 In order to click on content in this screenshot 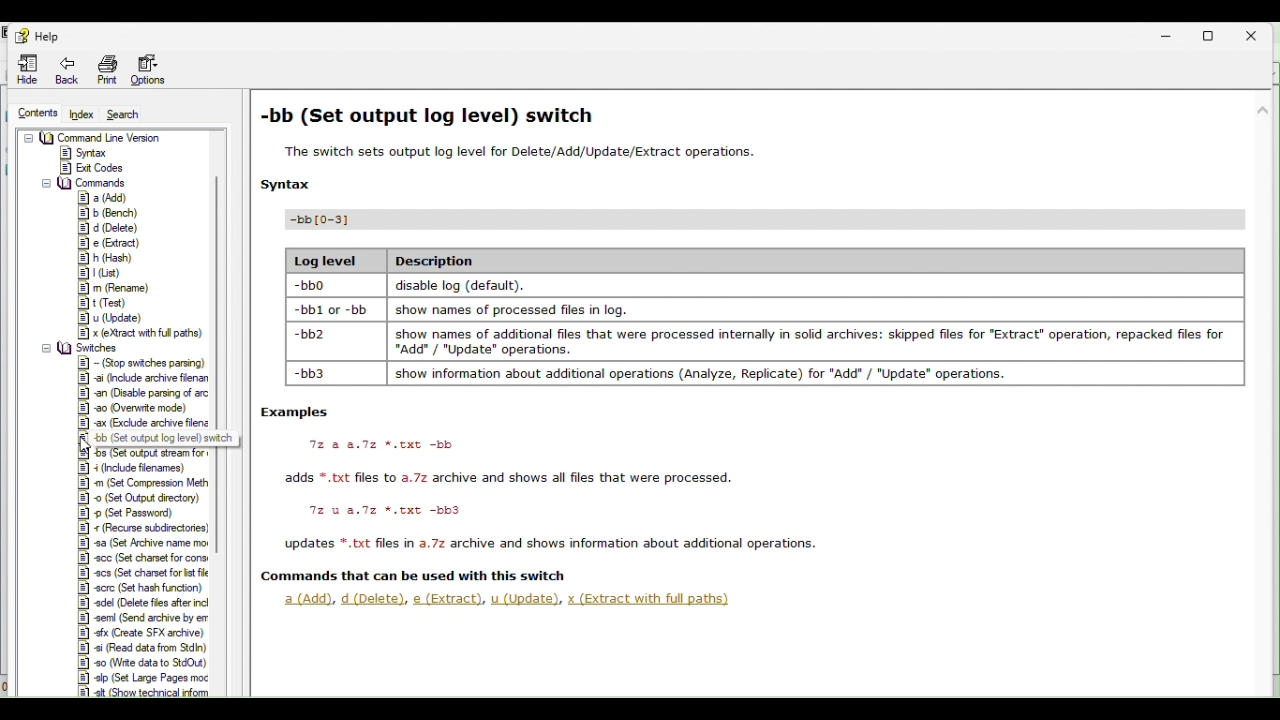, I will do `click(32, 113)`.